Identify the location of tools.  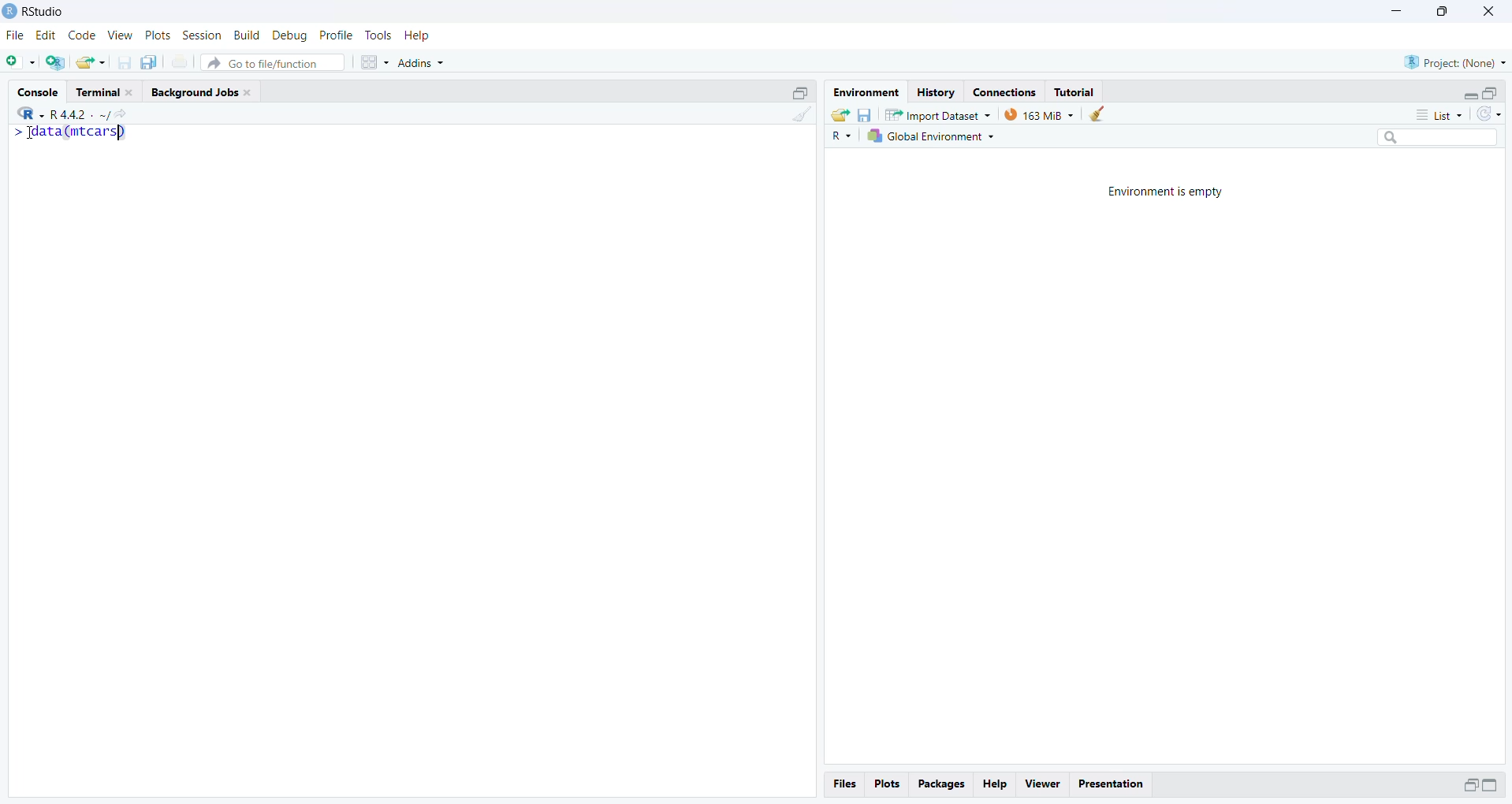
(379, 35).